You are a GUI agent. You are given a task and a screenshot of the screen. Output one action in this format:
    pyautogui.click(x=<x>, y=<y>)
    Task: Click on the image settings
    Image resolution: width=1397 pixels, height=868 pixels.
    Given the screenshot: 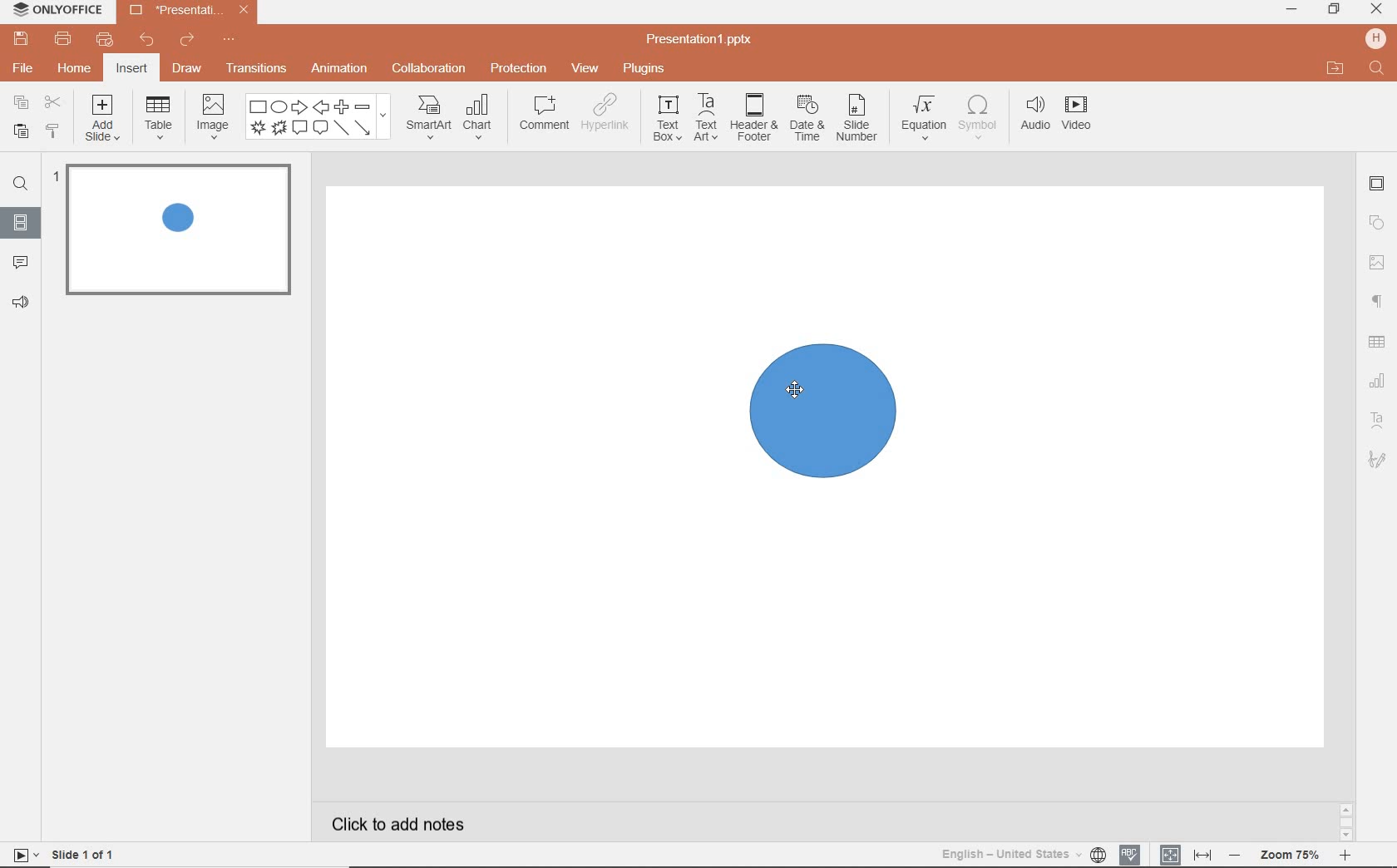 What is the action you would take?
    pyautogui.click(x=1380, y=261)
    